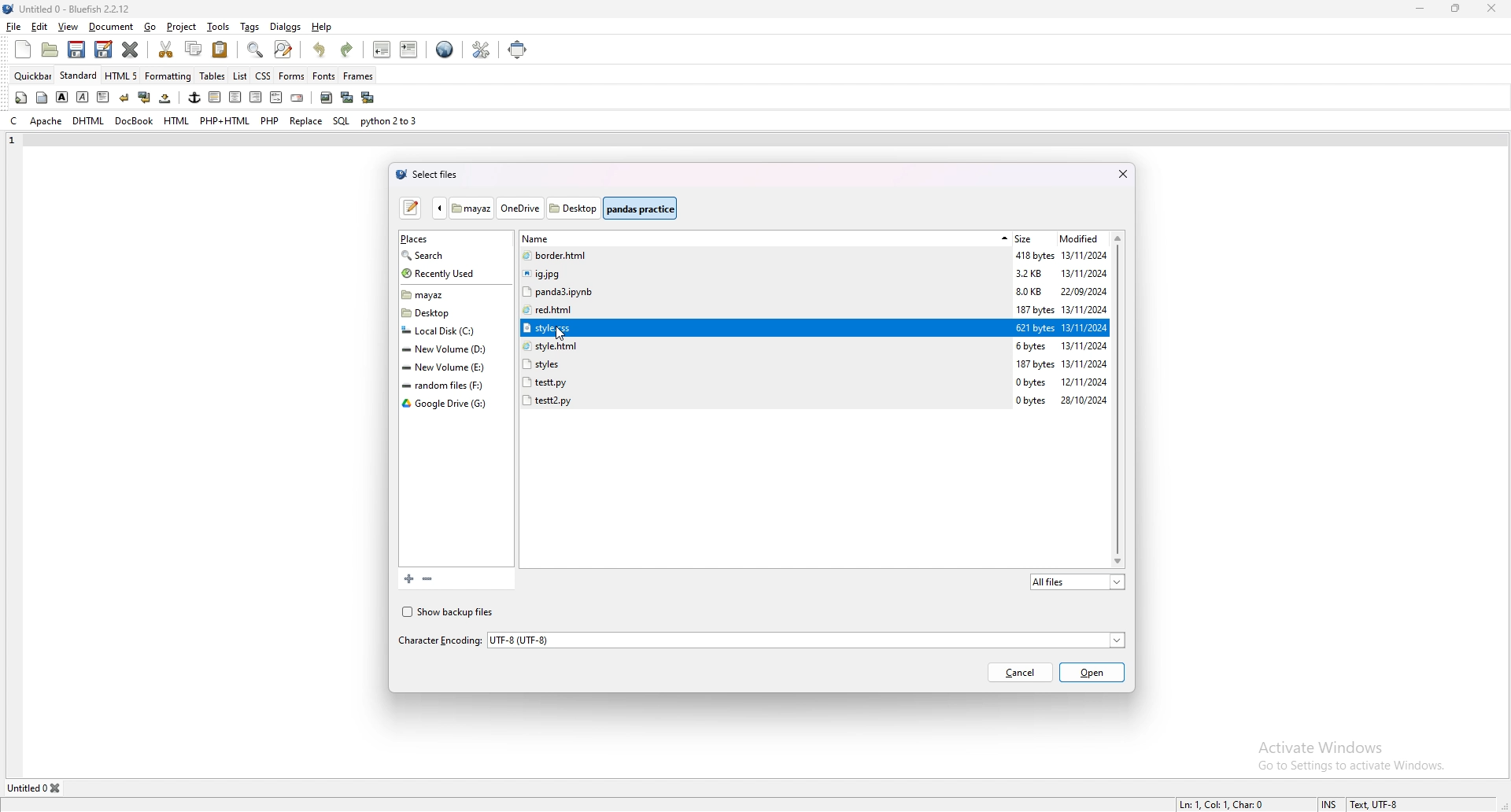 This screenshot has height=812, width=1511. I want to click on show find bar, so click(257, 50).